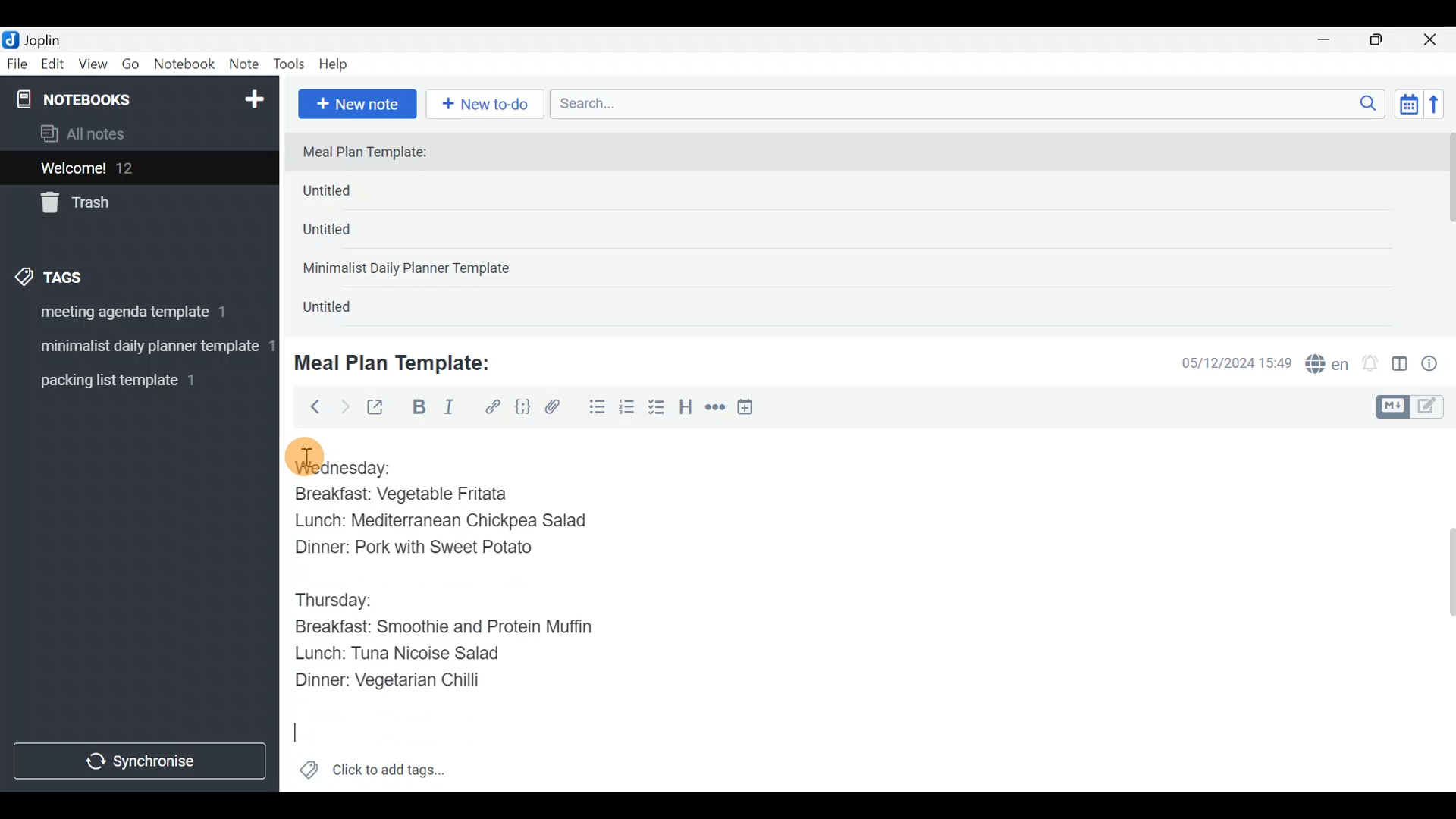  I want to click on Checkbox, so click(658, 409).